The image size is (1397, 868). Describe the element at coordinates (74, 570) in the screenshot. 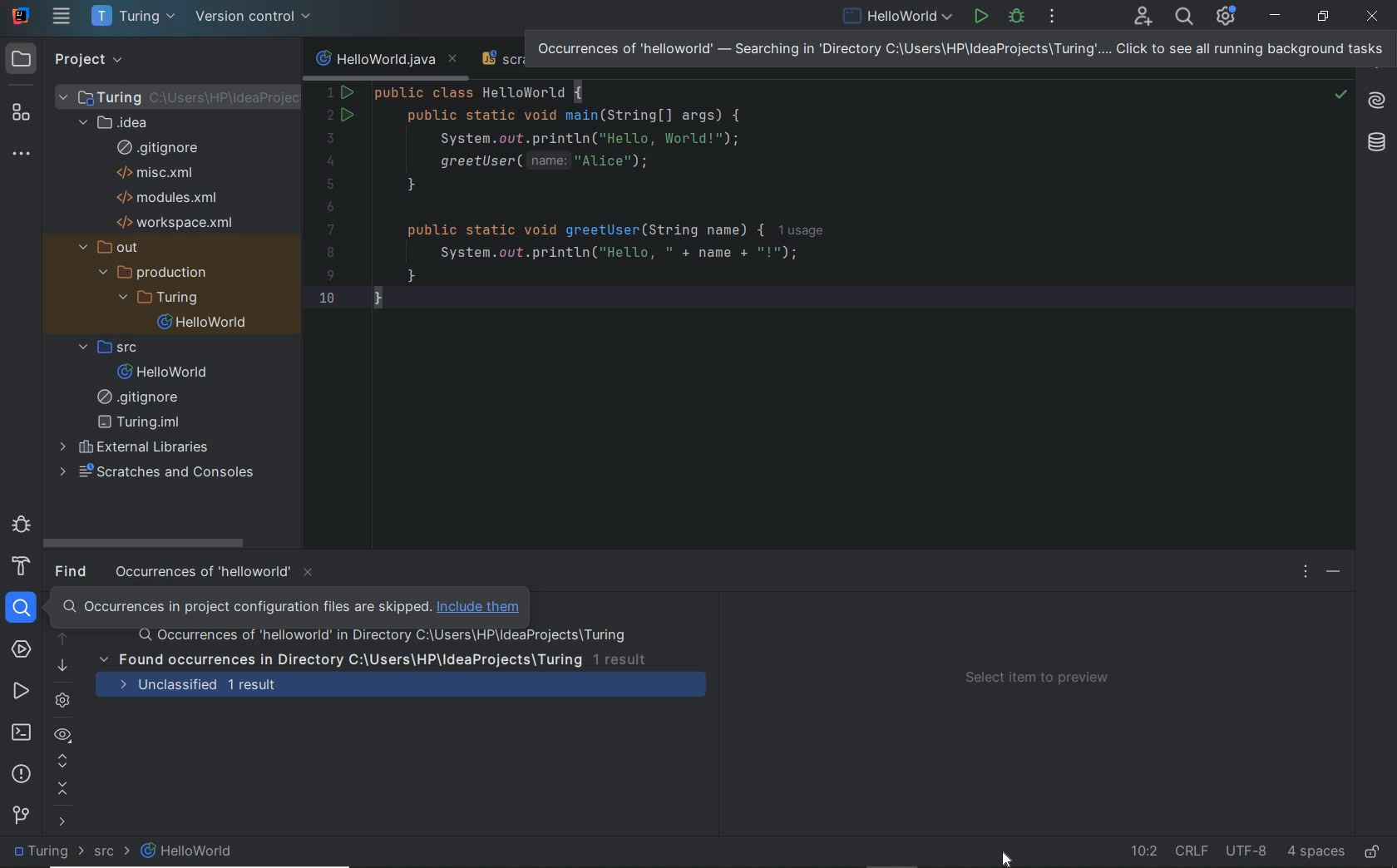

I see `find` at that location.